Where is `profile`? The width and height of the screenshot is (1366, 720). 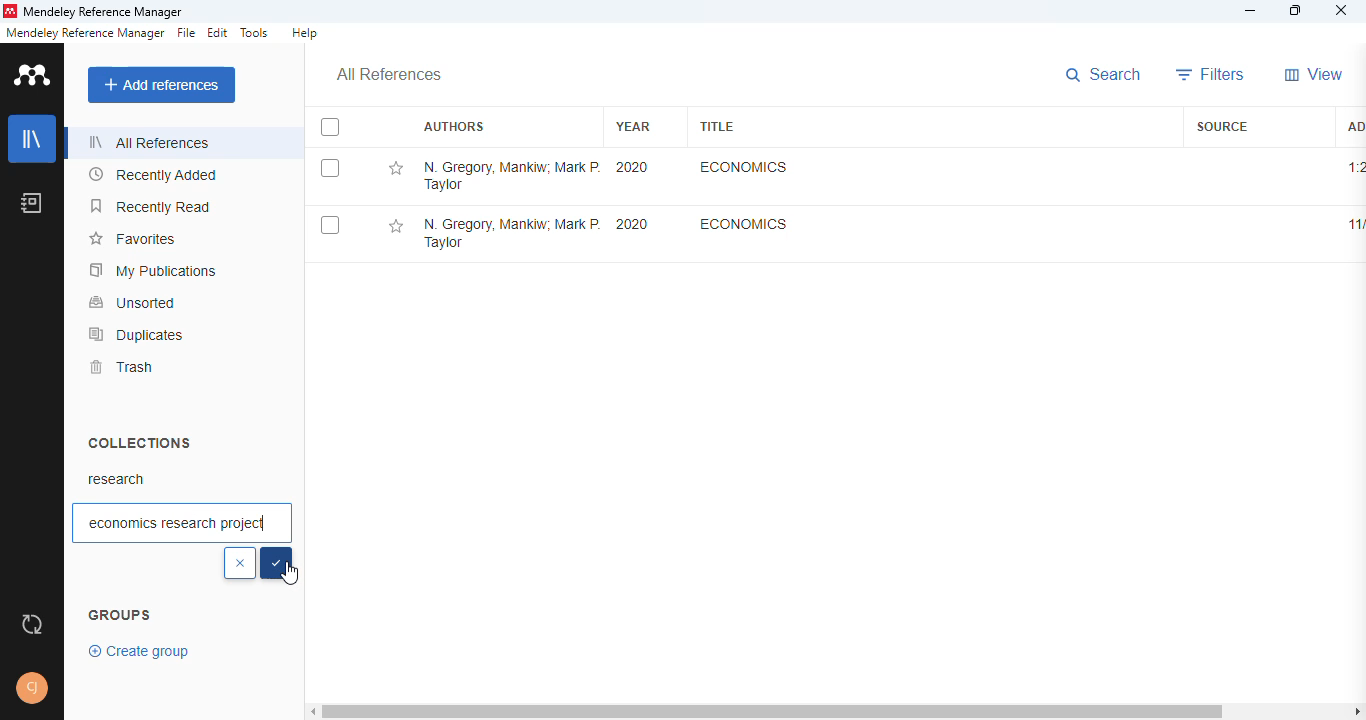
profile is located at coordinates (32, 688).